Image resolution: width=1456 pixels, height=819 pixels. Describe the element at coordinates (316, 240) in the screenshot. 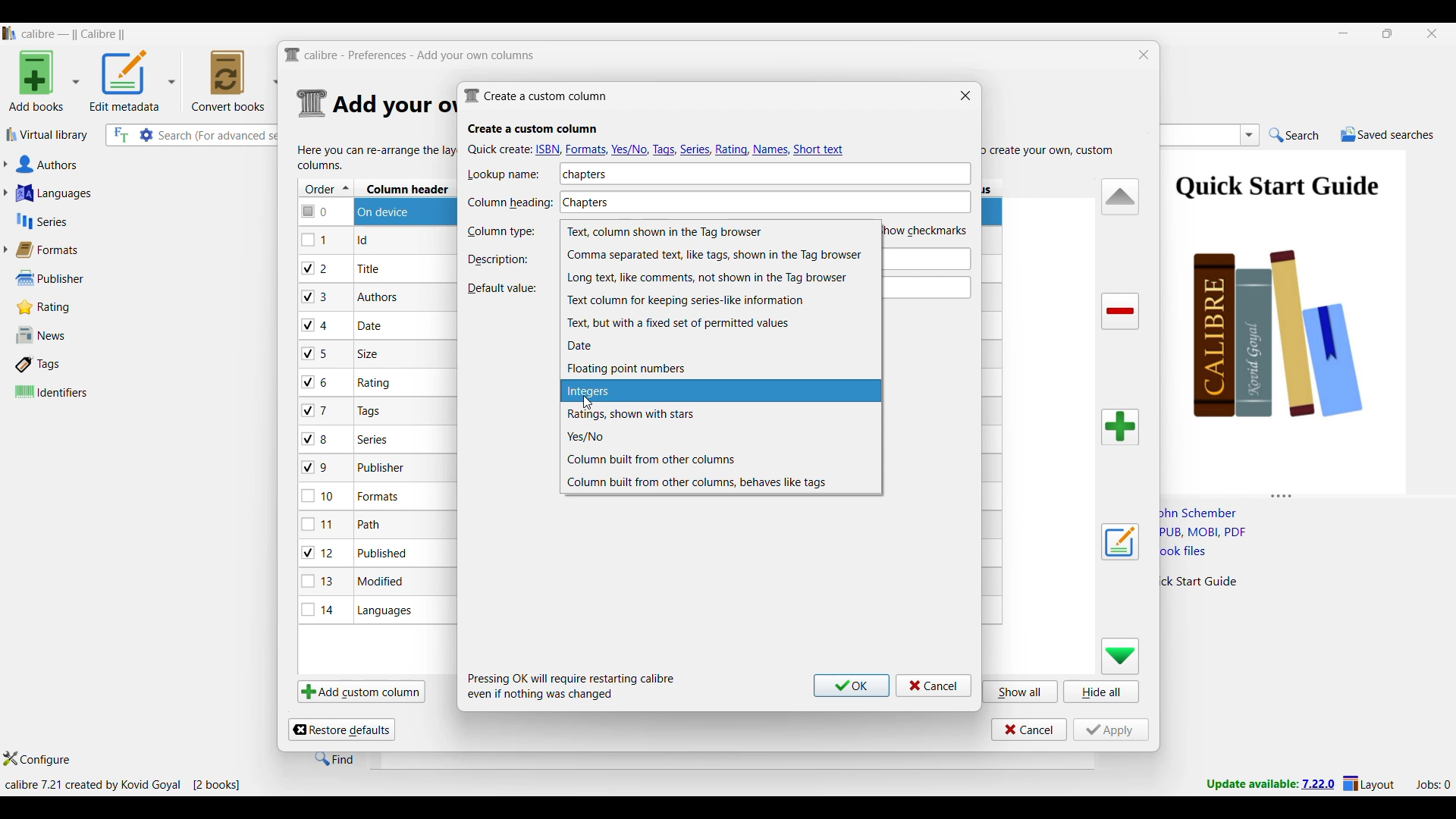

I see `checkbox - 1` at that location.